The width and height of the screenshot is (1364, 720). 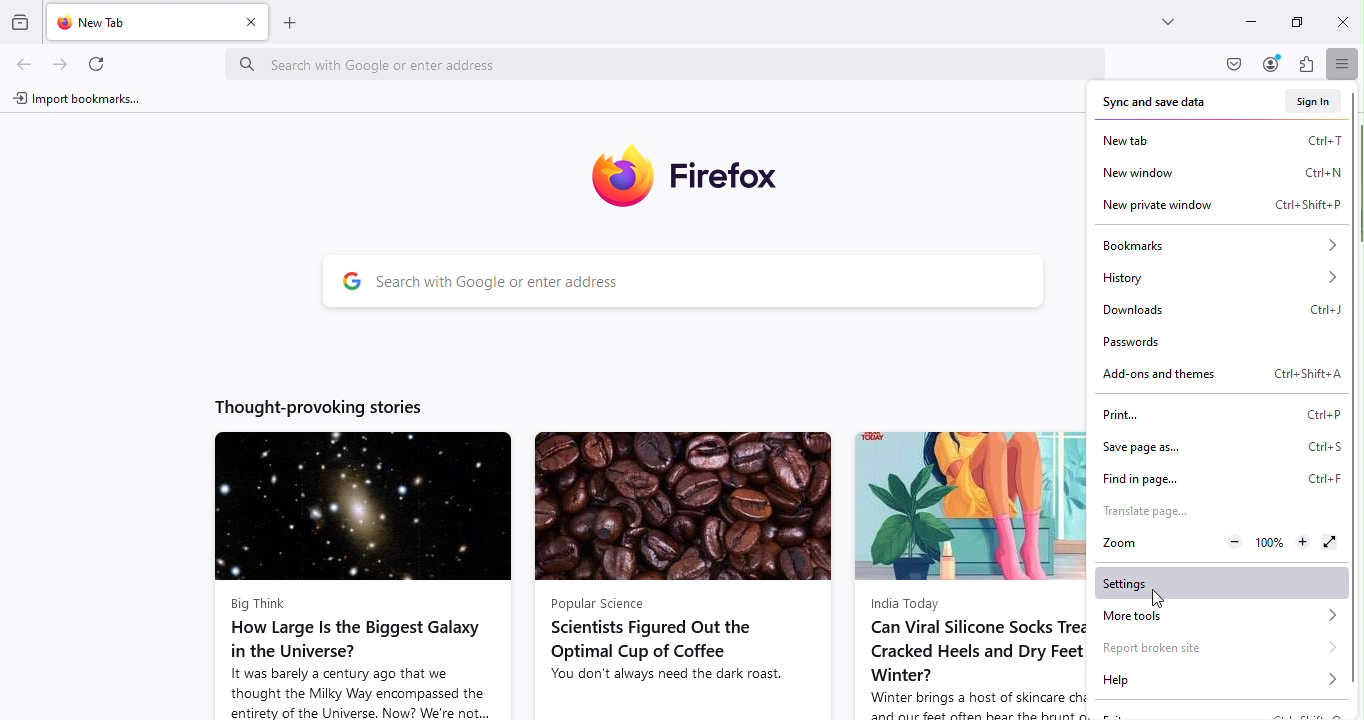 I want to click on Zoom out, so click(x=1233, y=540).